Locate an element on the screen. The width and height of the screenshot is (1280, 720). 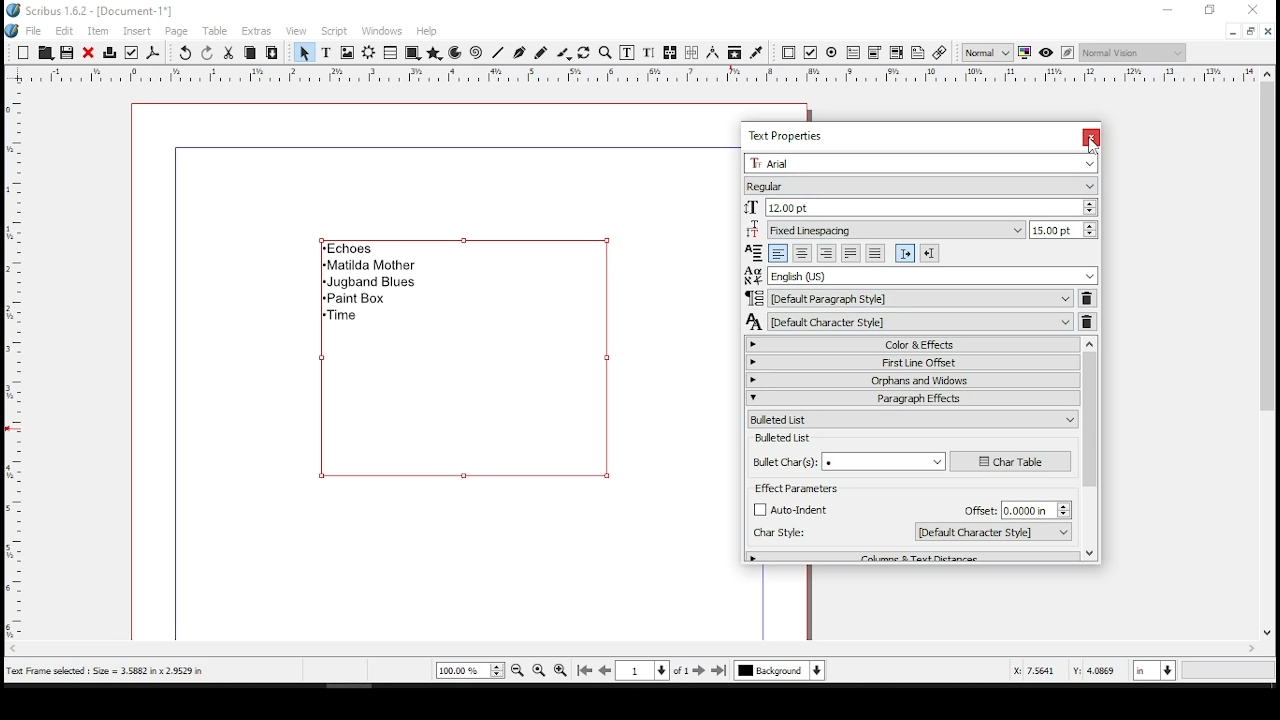
line spacing is located at coordinates (1062, 229).